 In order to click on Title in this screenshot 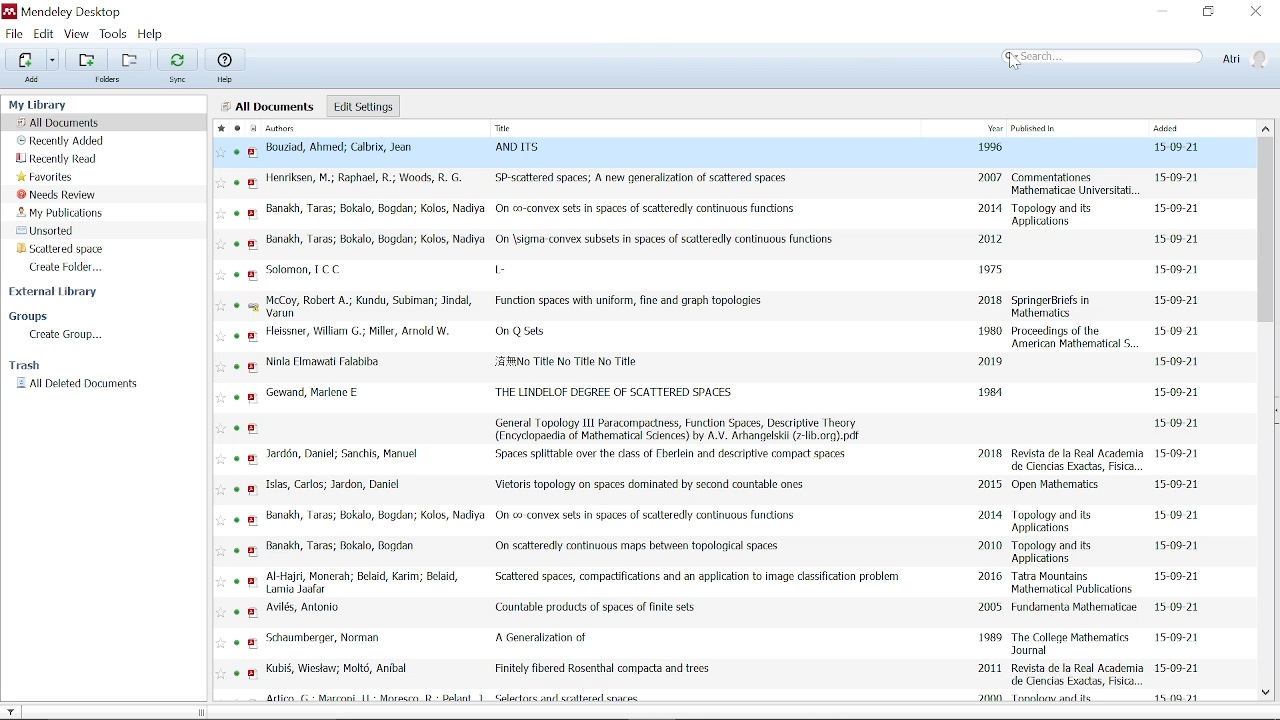, I will do `click(549, 128)`.